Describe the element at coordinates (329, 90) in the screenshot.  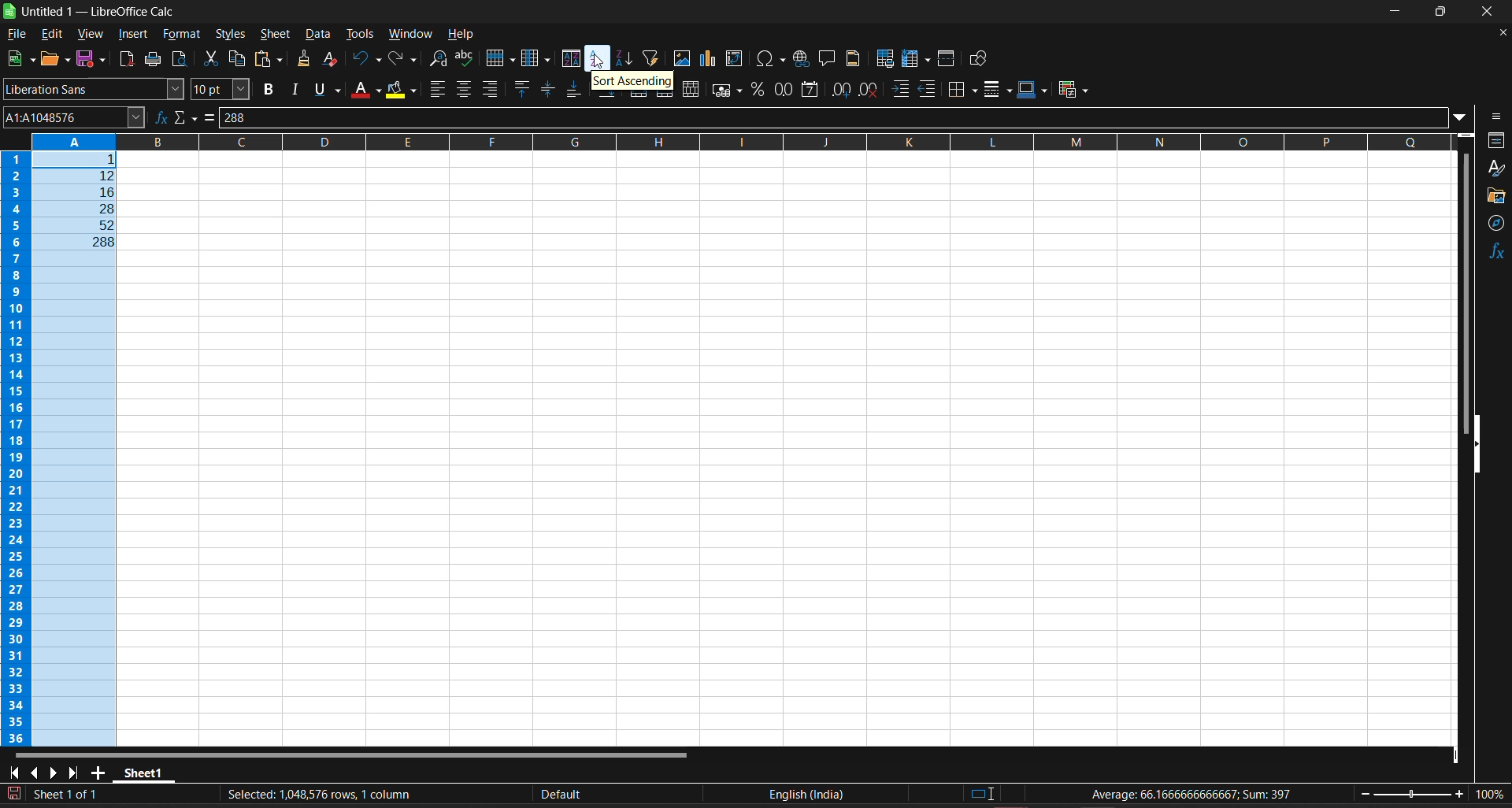
I see `underline` at that location.